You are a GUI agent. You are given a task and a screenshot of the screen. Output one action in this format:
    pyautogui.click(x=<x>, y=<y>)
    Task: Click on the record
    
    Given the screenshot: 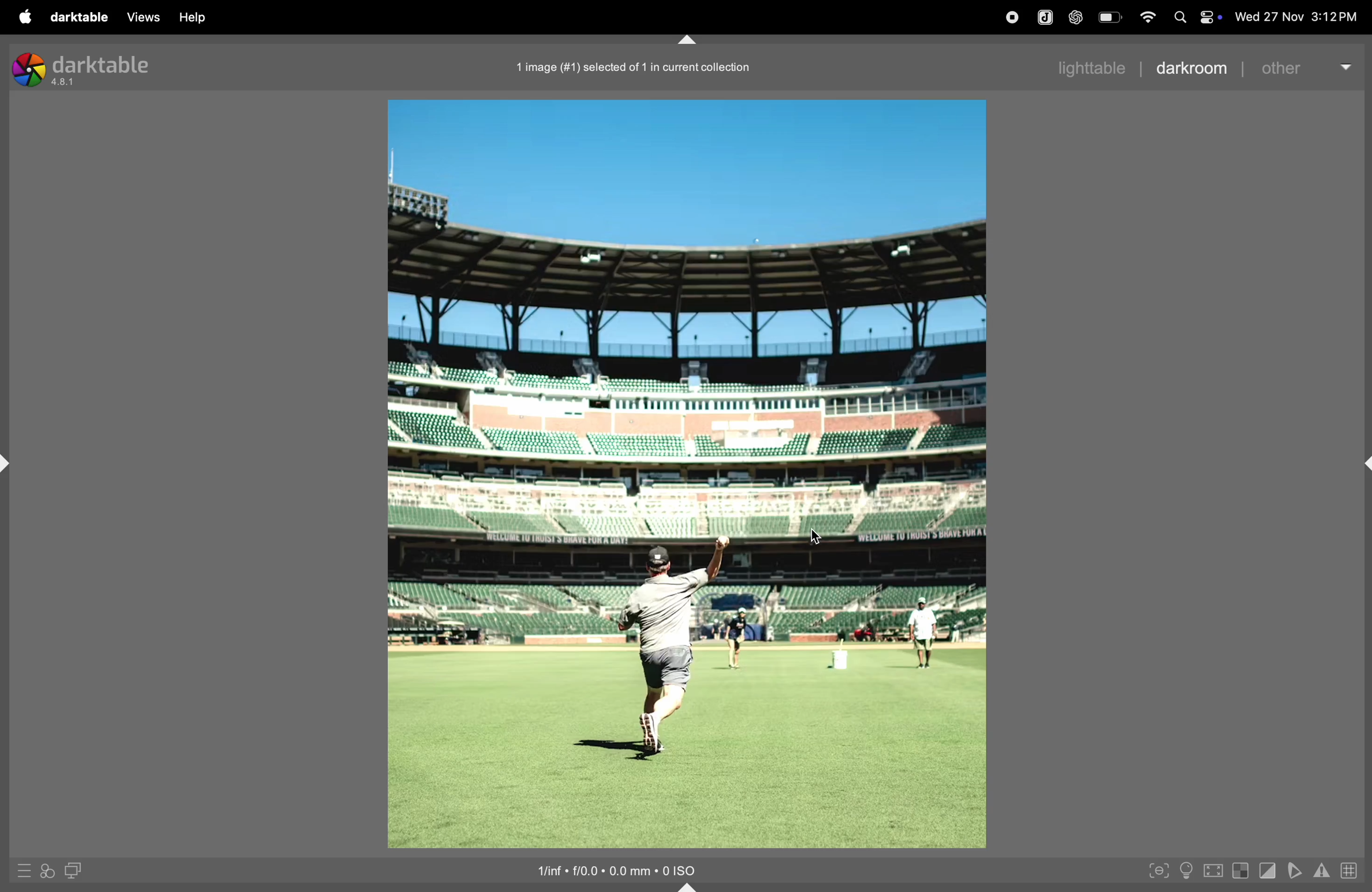 What is the action you would take?
    pyautogui.click(x=1013, y=18)
    